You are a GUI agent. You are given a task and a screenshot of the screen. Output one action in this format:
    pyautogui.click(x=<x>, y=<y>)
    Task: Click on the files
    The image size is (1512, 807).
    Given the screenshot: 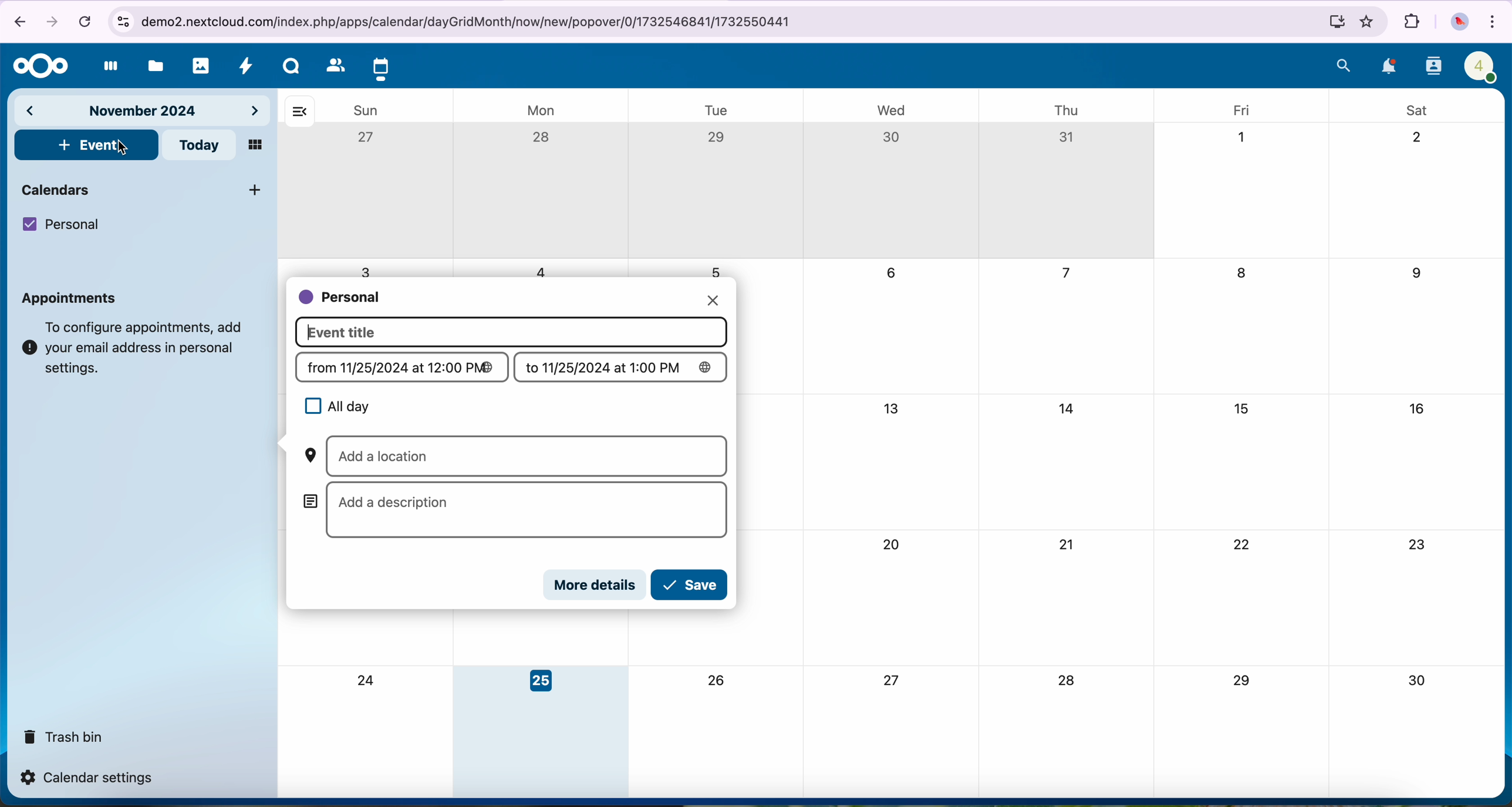 What is the action you would take?
    pyautogui.click(x=153, y=66)
    